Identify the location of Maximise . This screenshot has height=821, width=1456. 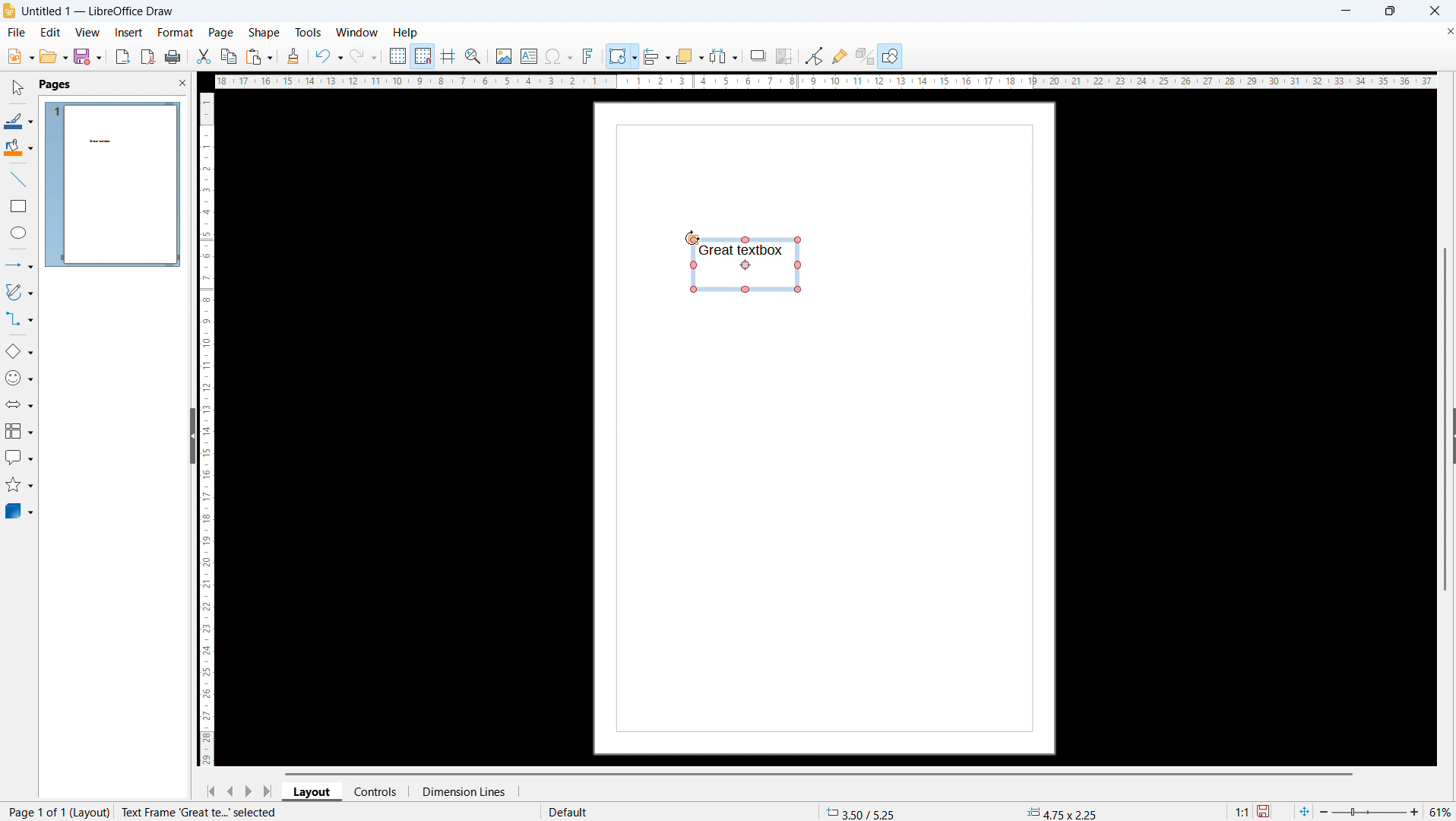
(1388, 11).